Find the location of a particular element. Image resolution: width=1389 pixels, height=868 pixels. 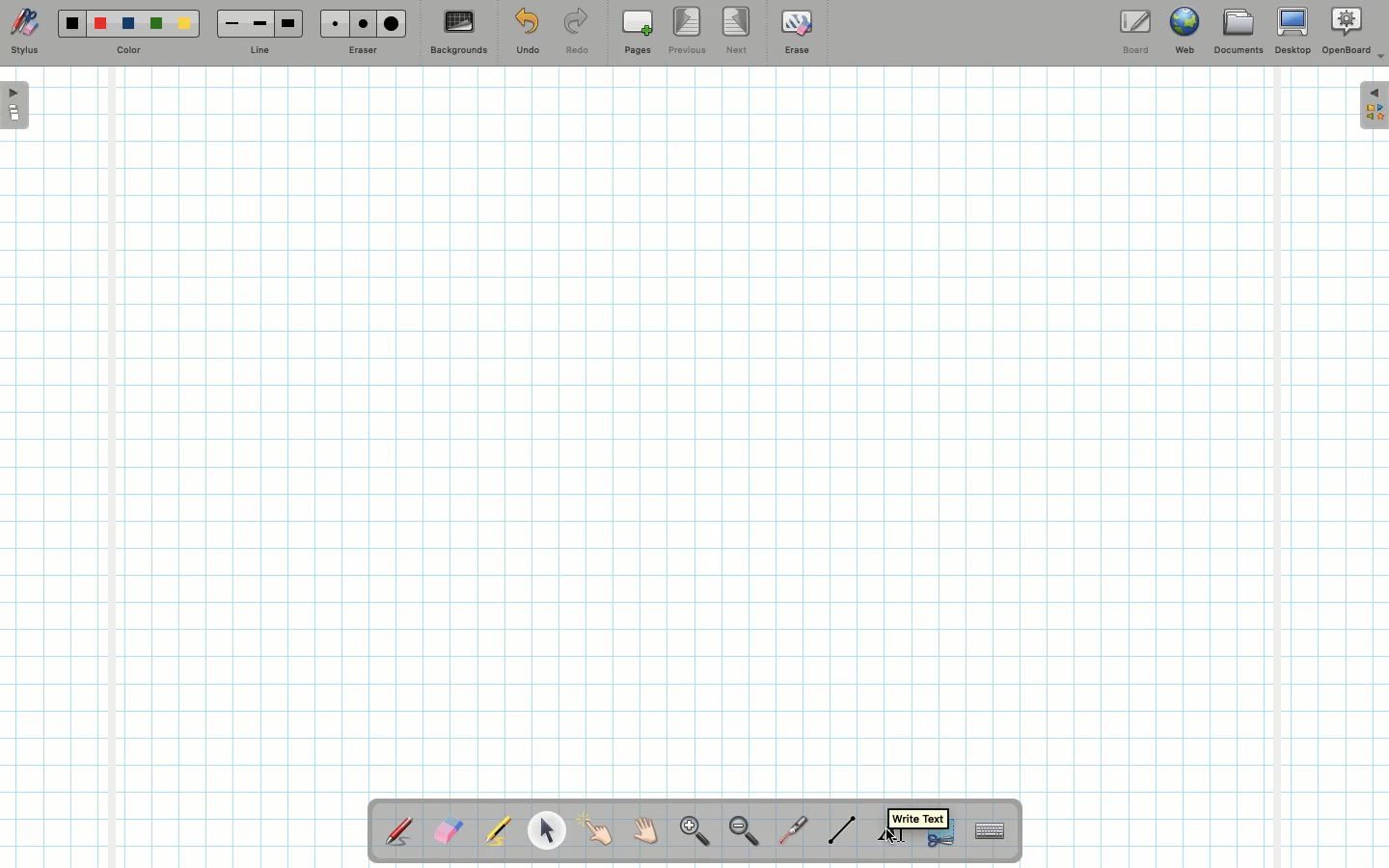

Pointer is located at coordinates (596, 830).